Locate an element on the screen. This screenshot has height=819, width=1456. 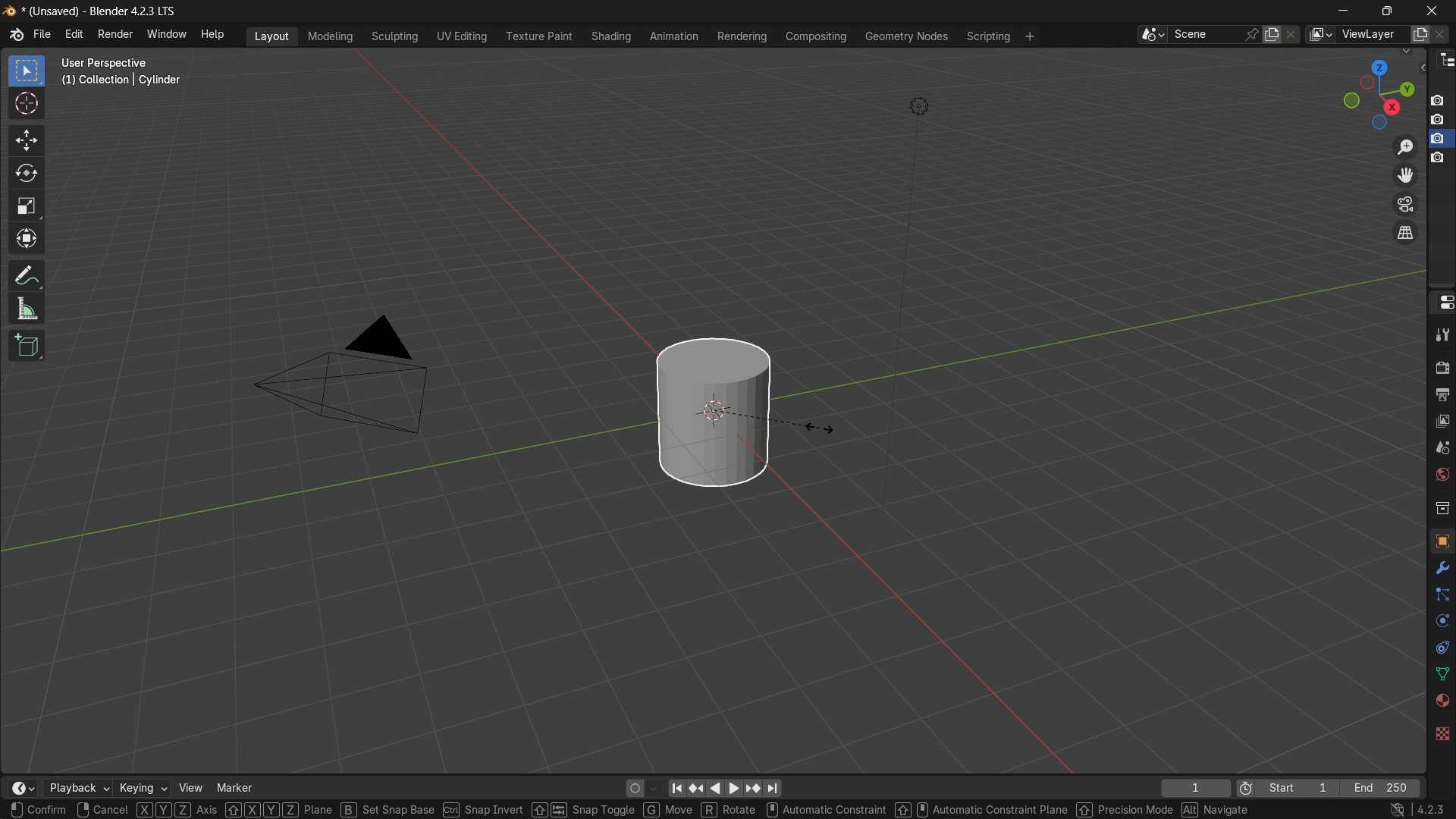
add cube is located at coordinates (27, 344).